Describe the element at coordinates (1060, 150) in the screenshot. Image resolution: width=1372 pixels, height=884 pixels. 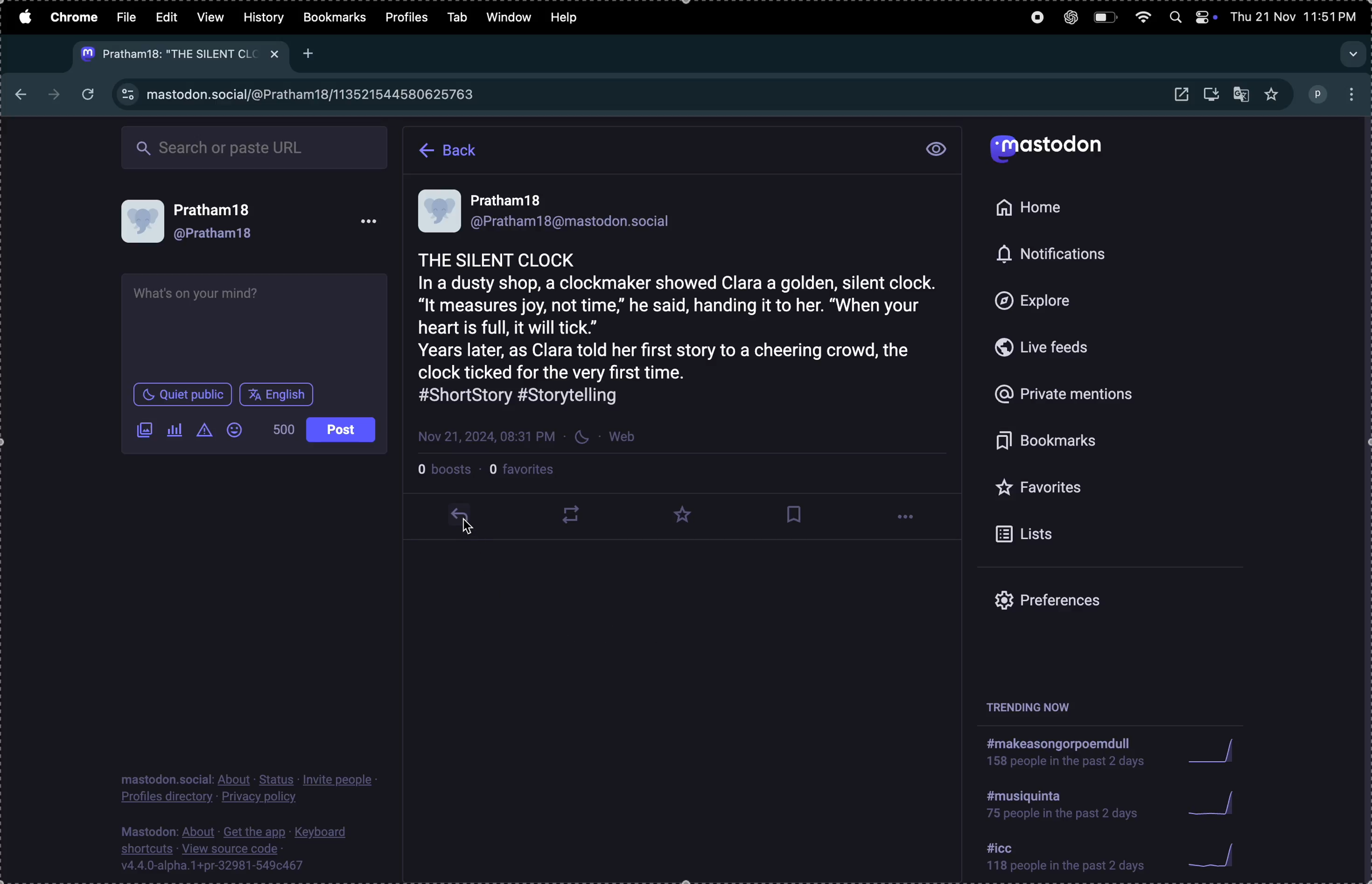
I see `mastodon logo` at that location.